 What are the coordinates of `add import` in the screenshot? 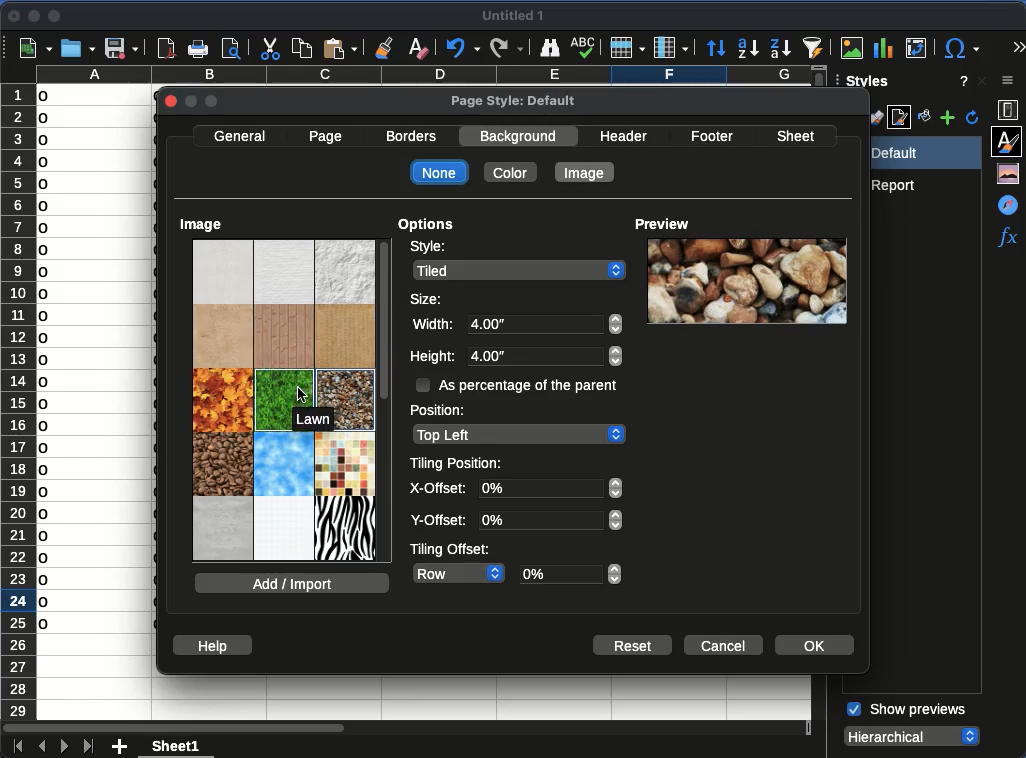 It's located at (294, 583).